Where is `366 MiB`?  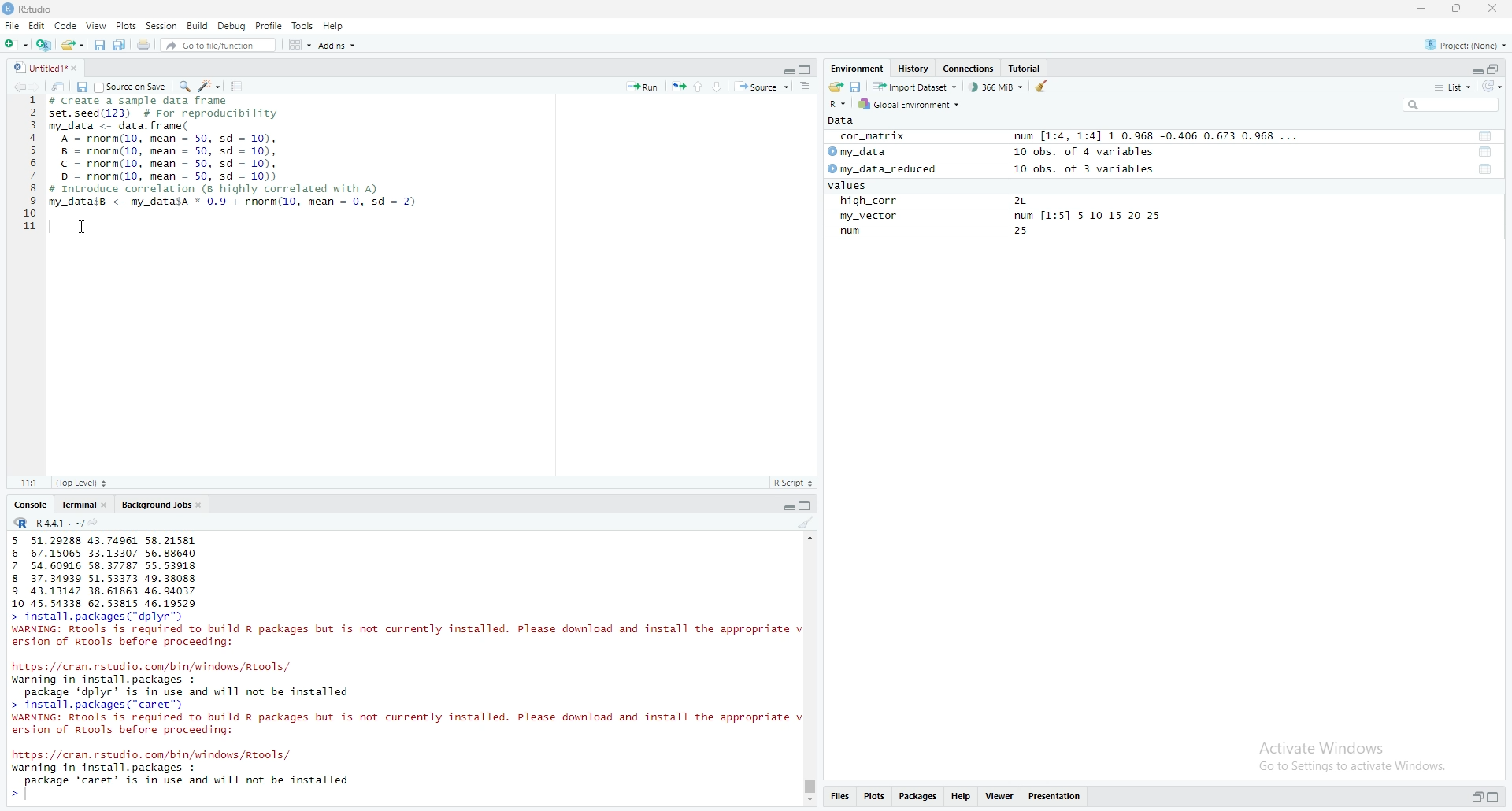 366 MiB is located at coordinates (996, 87).